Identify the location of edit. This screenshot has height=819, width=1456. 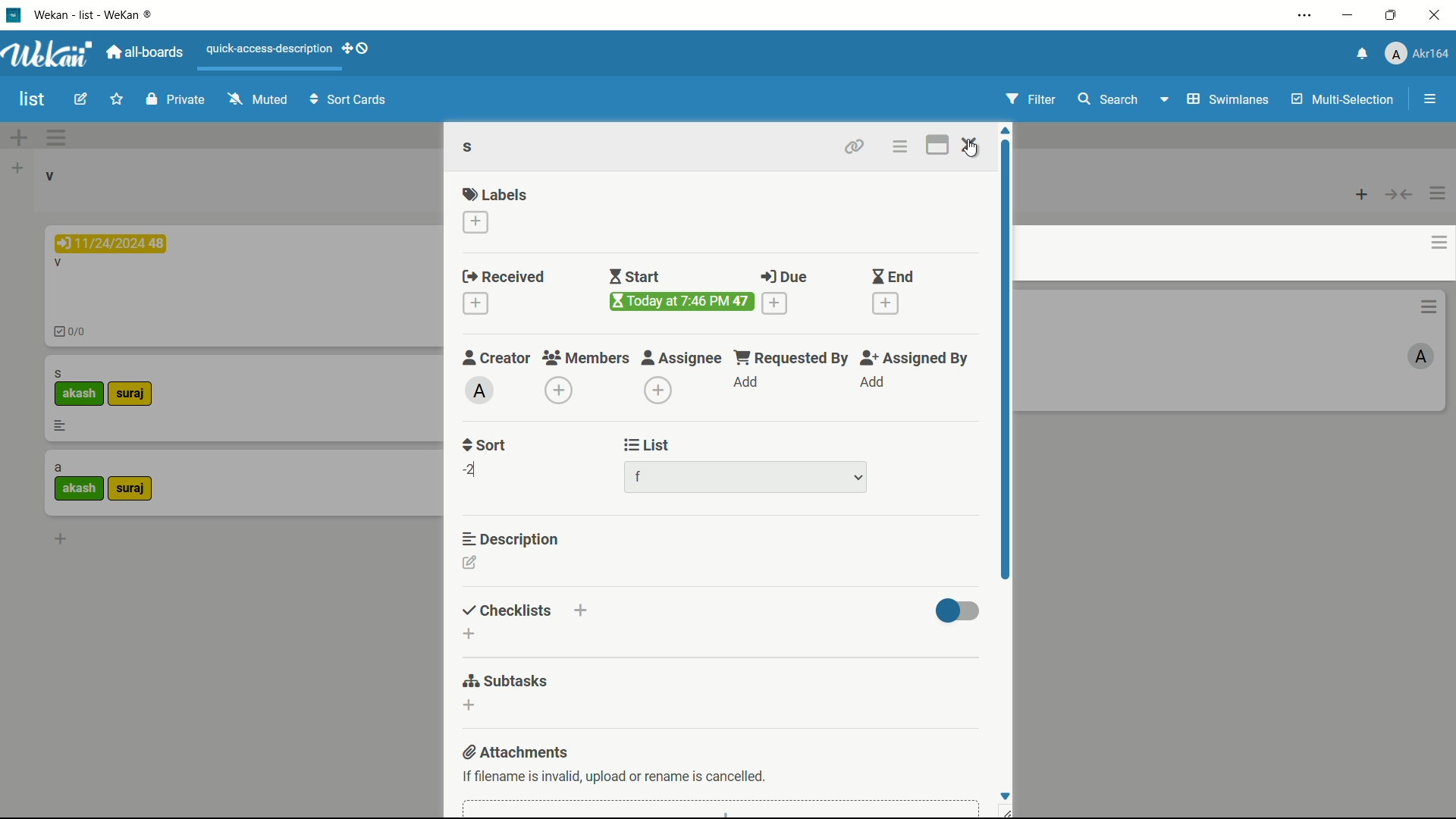
(80, 99).